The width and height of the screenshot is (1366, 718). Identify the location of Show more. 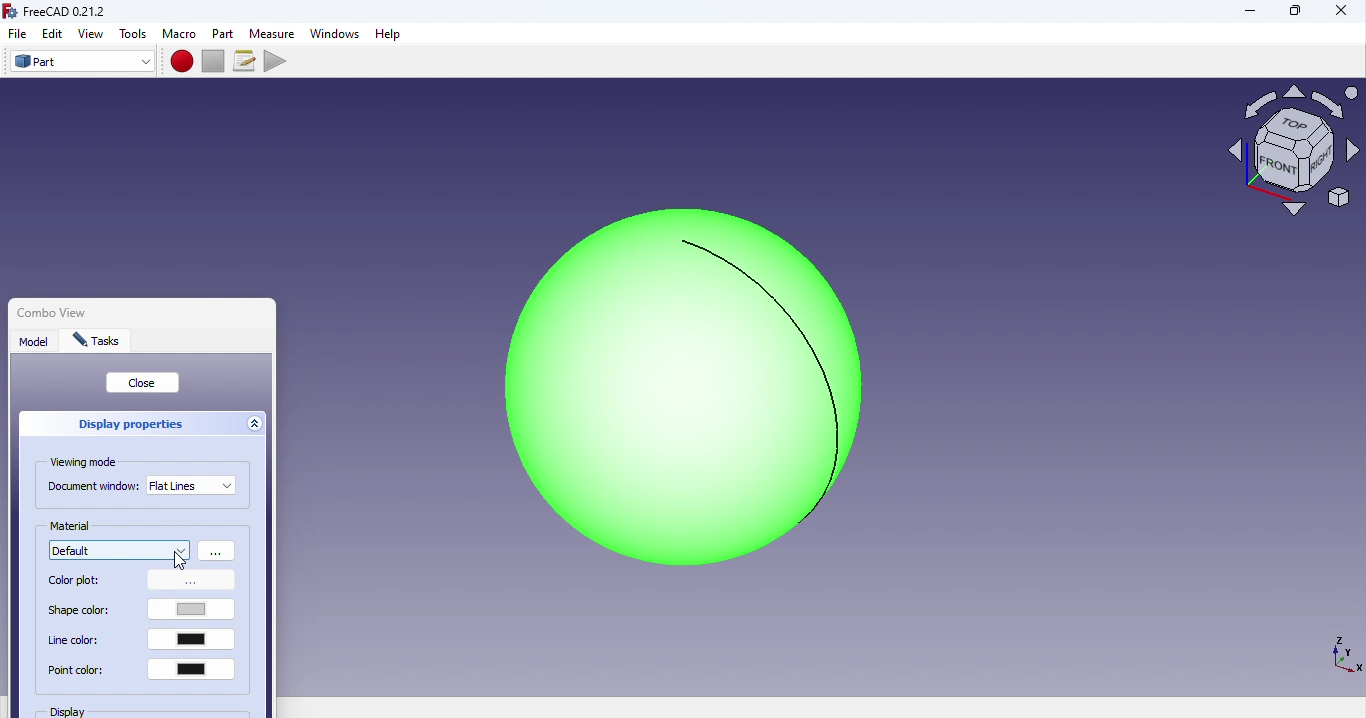
(218, 551).